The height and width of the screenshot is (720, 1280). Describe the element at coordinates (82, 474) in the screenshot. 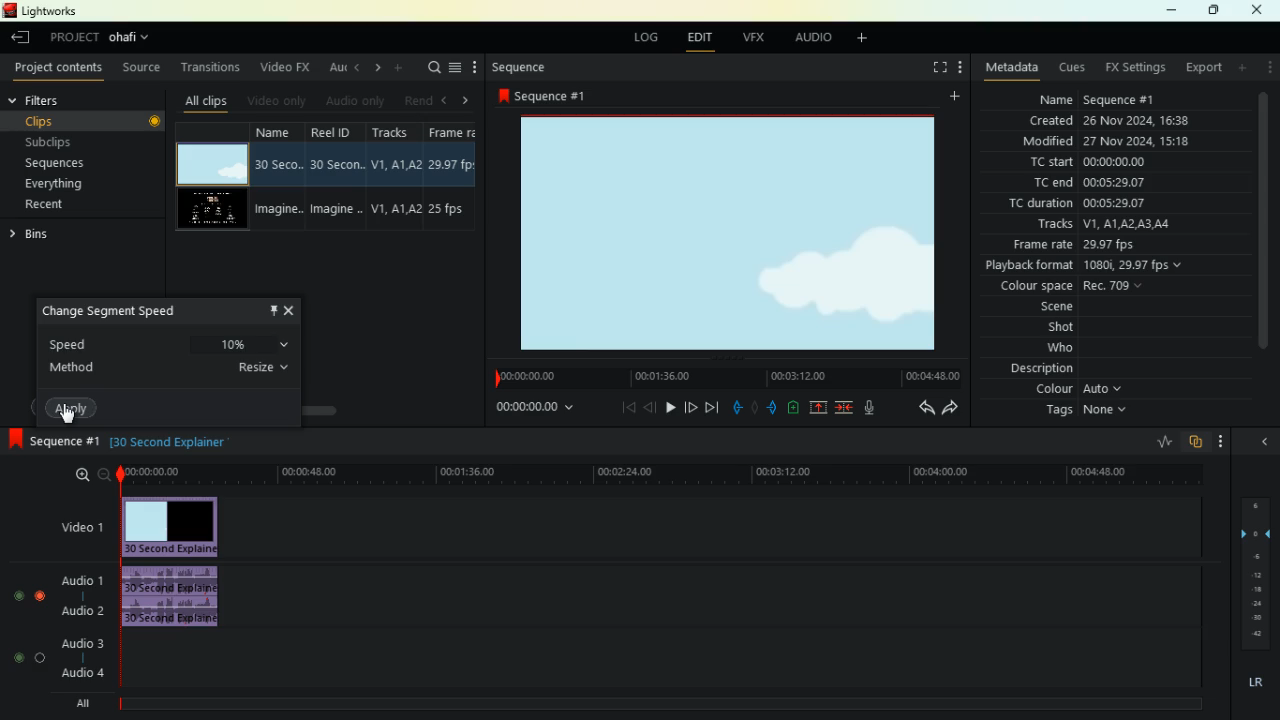

I see `zoom` at that location.